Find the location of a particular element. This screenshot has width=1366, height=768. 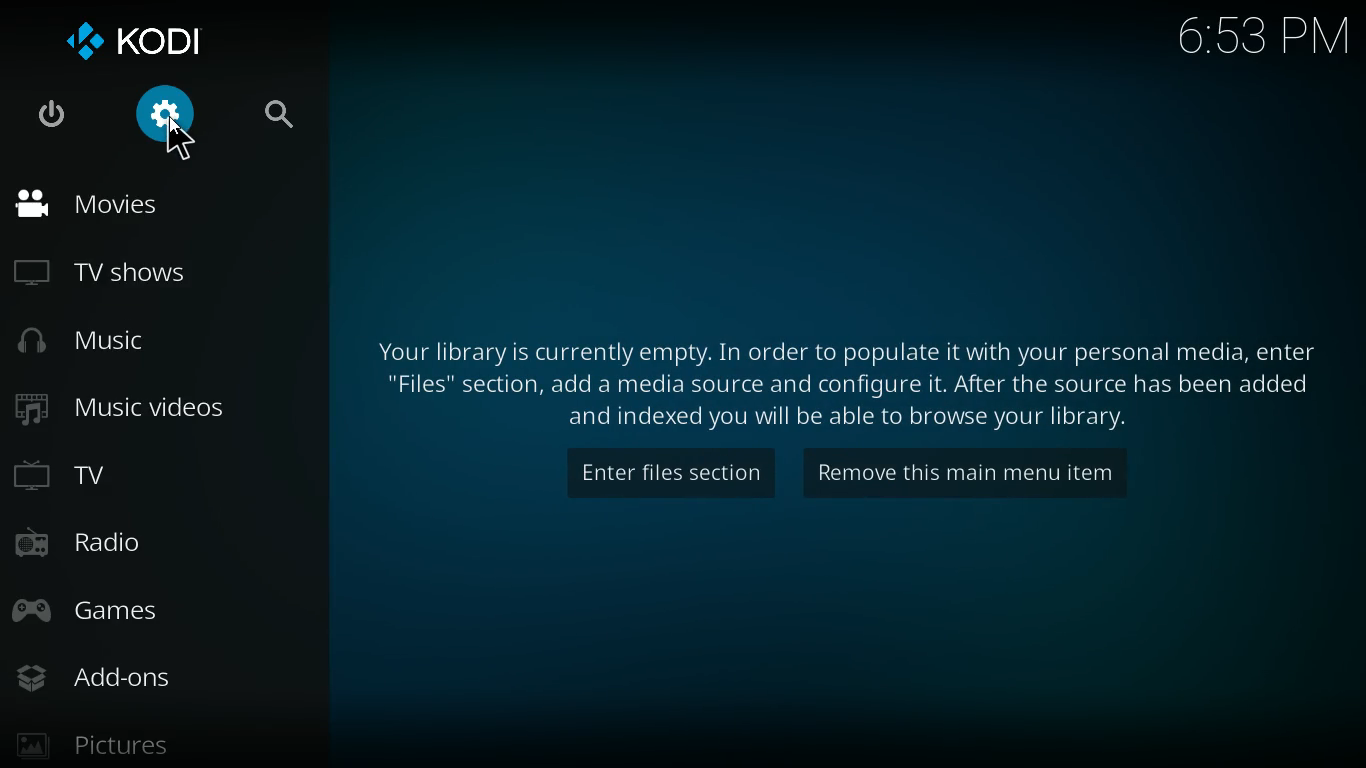

kodi logo is located at coordinates (138, 44).